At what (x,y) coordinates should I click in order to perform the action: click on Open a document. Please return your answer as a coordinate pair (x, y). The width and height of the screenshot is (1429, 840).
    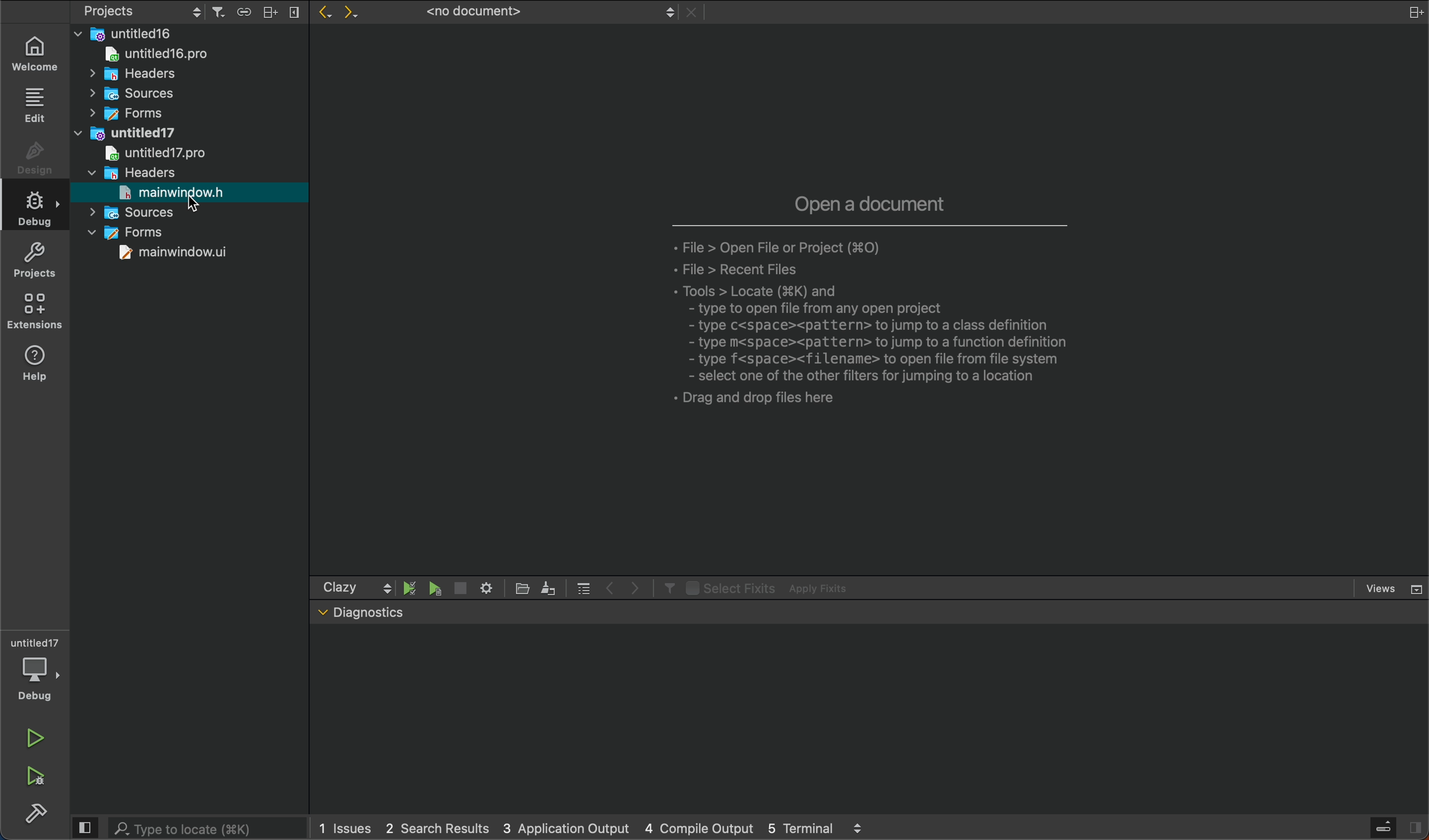
    Looking at the image, I should click on (872, 201).